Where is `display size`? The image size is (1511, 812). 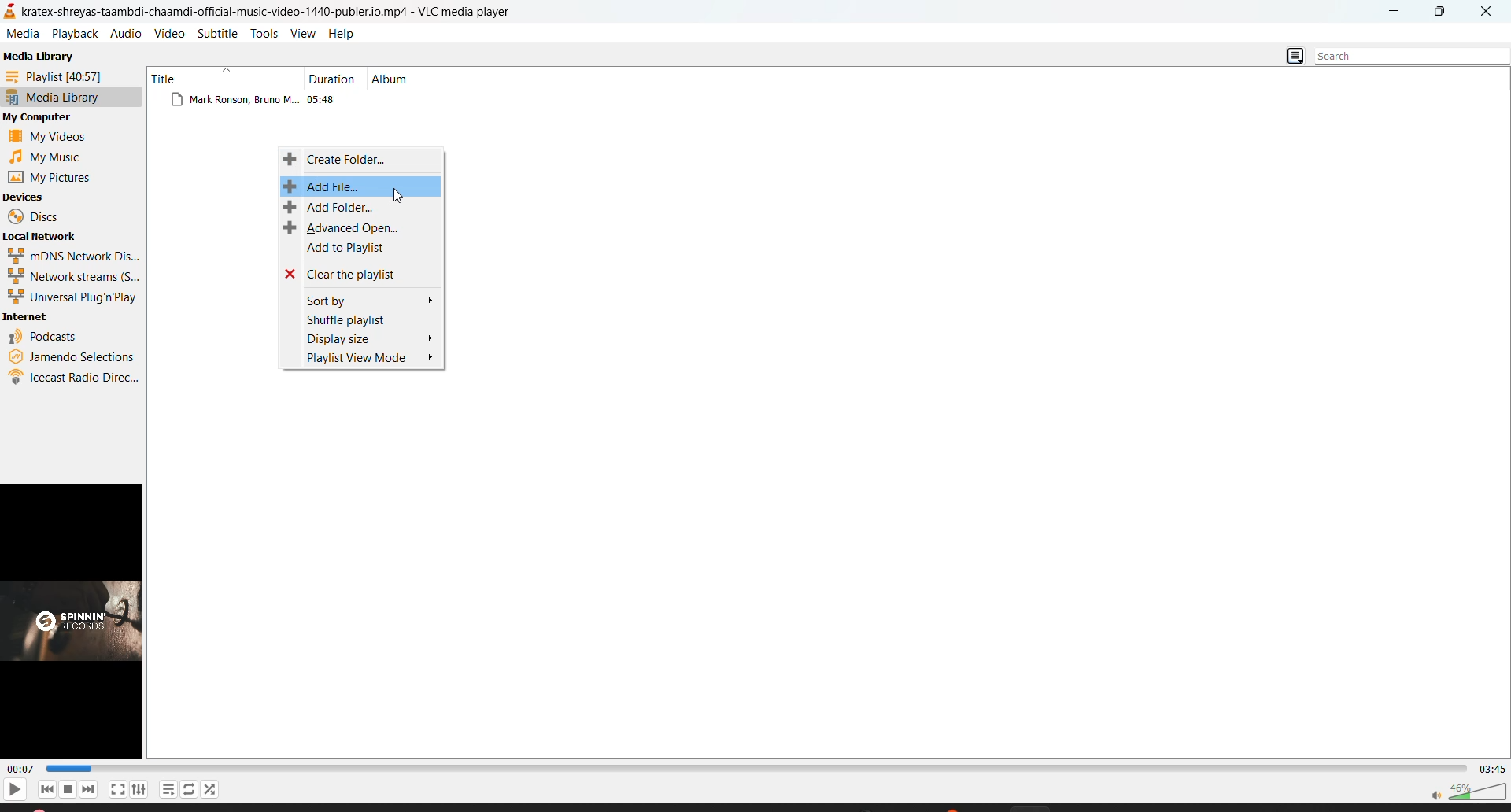 display size is located at coordinates (370, 341).